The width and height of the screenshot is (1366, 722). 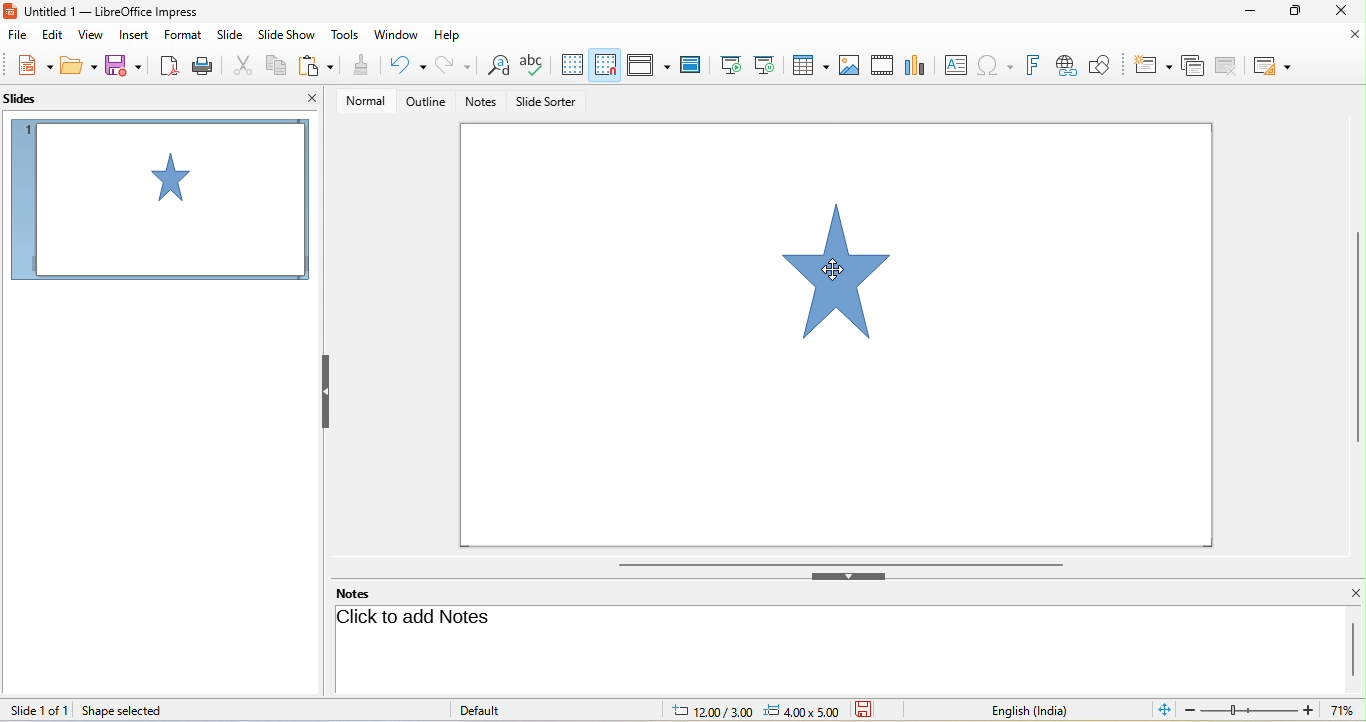 I want to click on chart, so click(x=917, y=64).